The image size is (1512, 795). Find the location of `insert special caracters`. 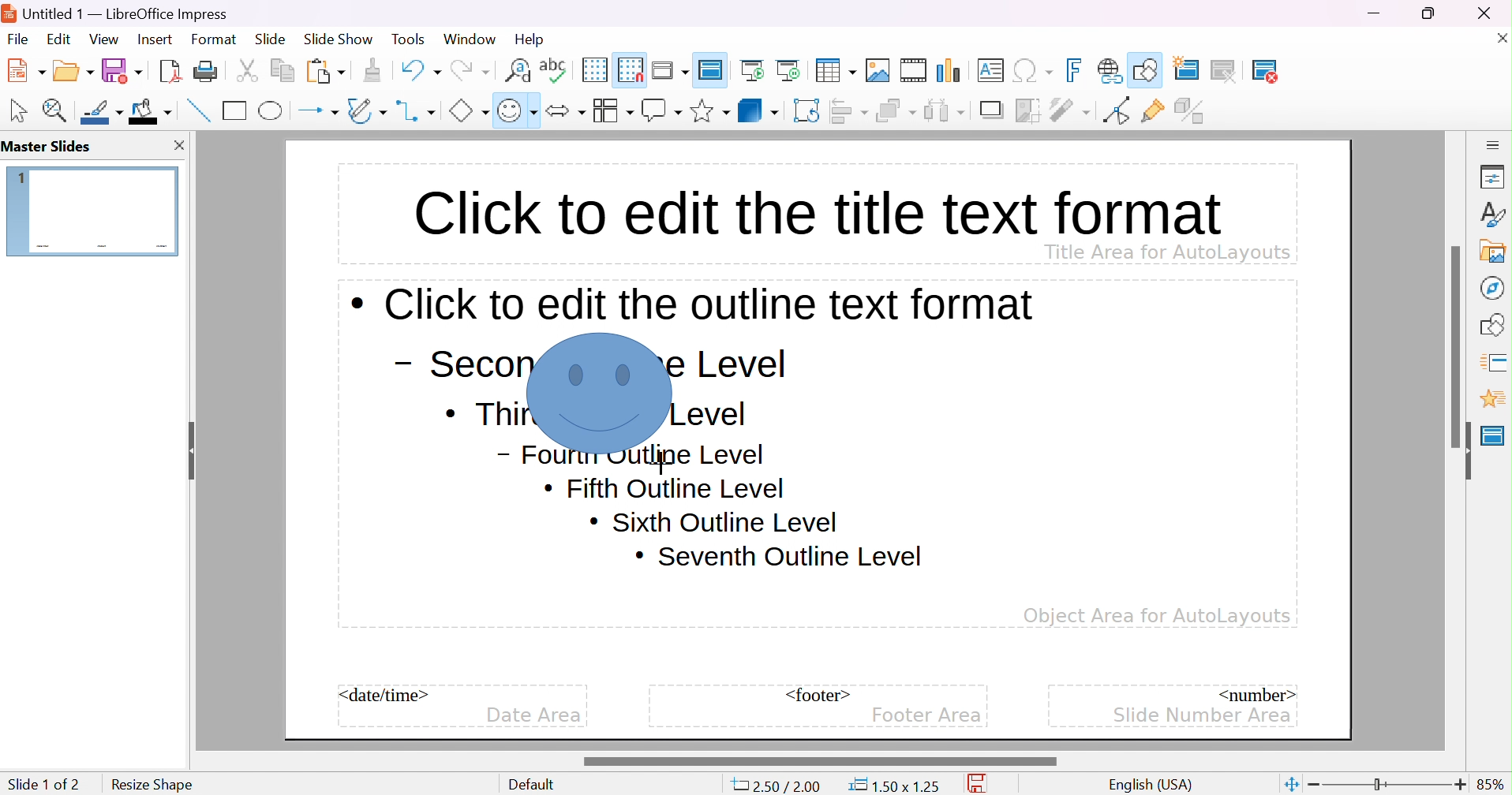

insert special caracters is located at coordinates (1033, 71).